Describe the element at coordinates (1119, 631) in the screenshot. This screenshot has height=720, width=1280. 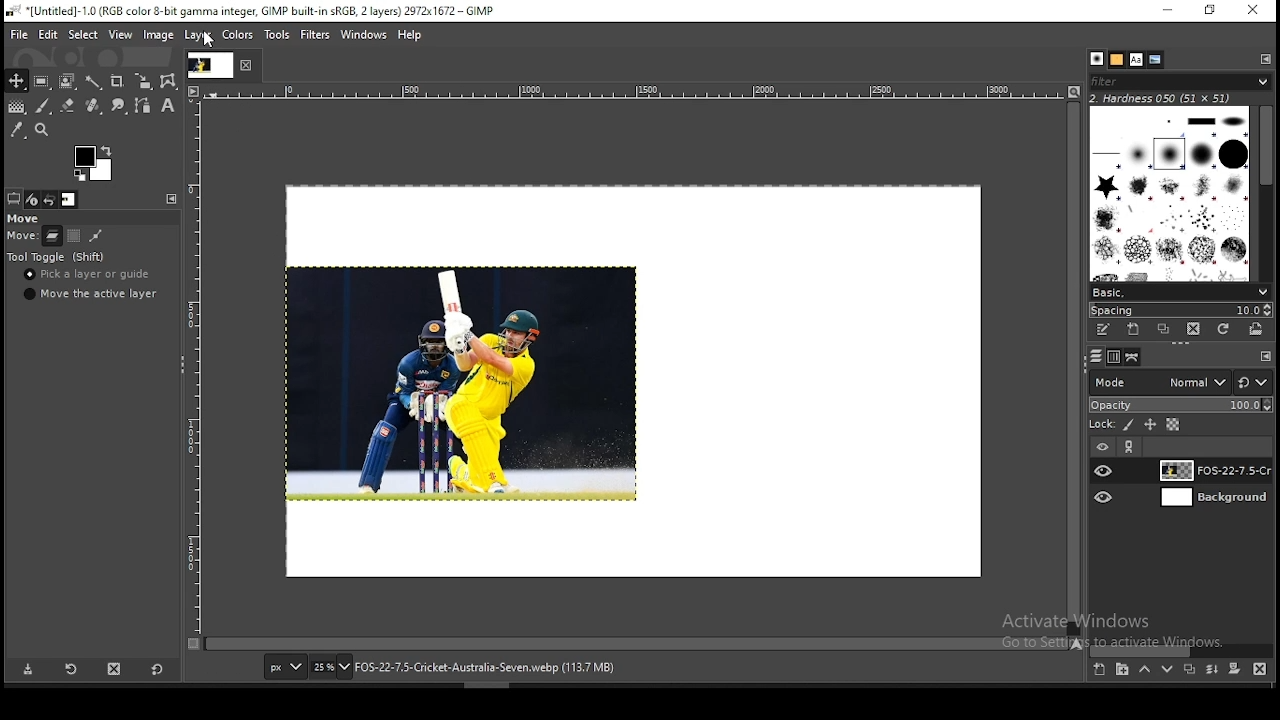
I see `text` at that location.